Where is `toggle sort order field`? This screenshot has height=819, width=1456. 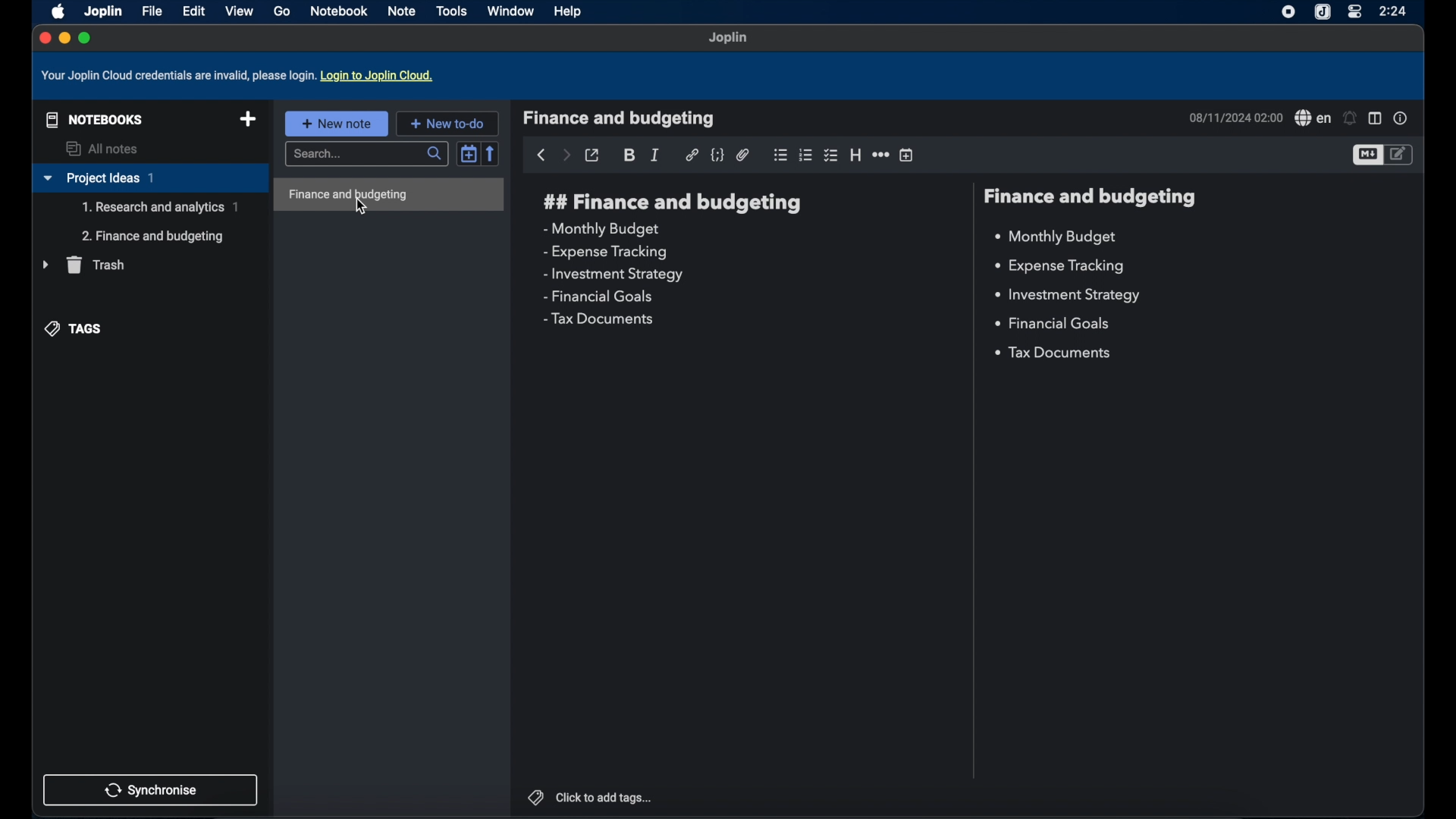 toggle sort order field is located at coordinates (469, 152).